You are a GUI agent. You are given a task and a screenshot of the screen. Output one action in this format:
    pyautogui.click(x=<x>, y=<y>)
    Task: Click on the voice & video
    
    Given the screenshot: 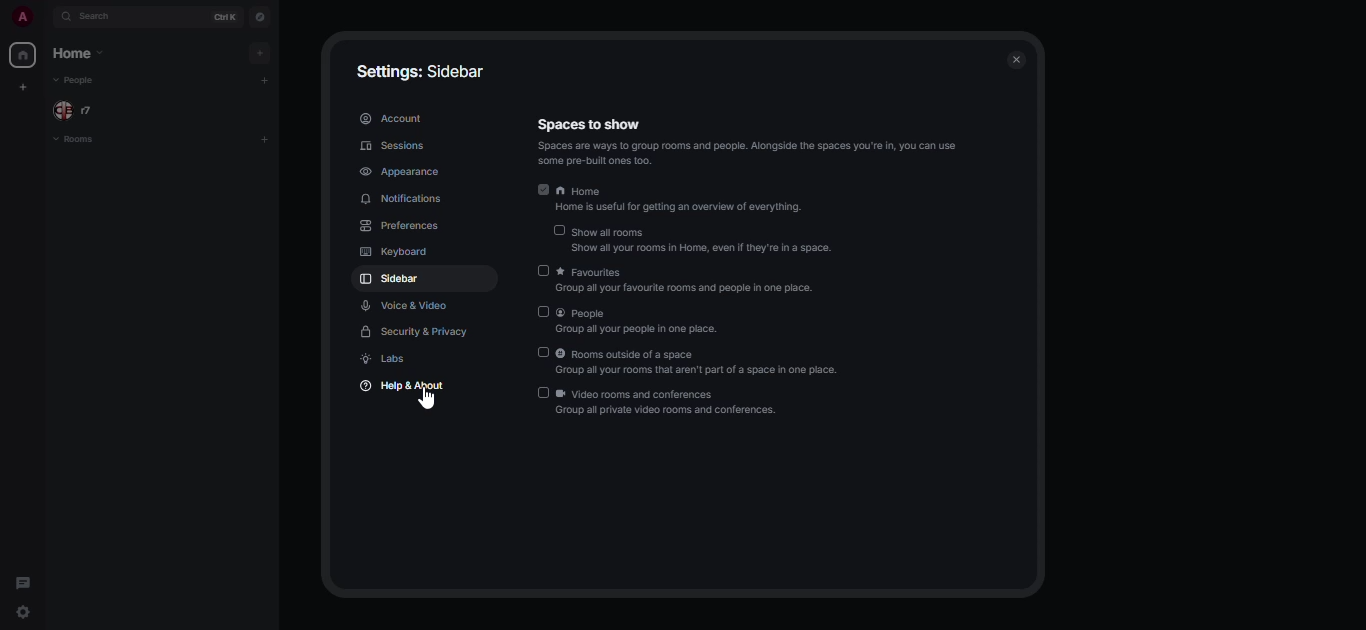 What is the action you would take?
    pyautogui.click(x=409, y=305)
    